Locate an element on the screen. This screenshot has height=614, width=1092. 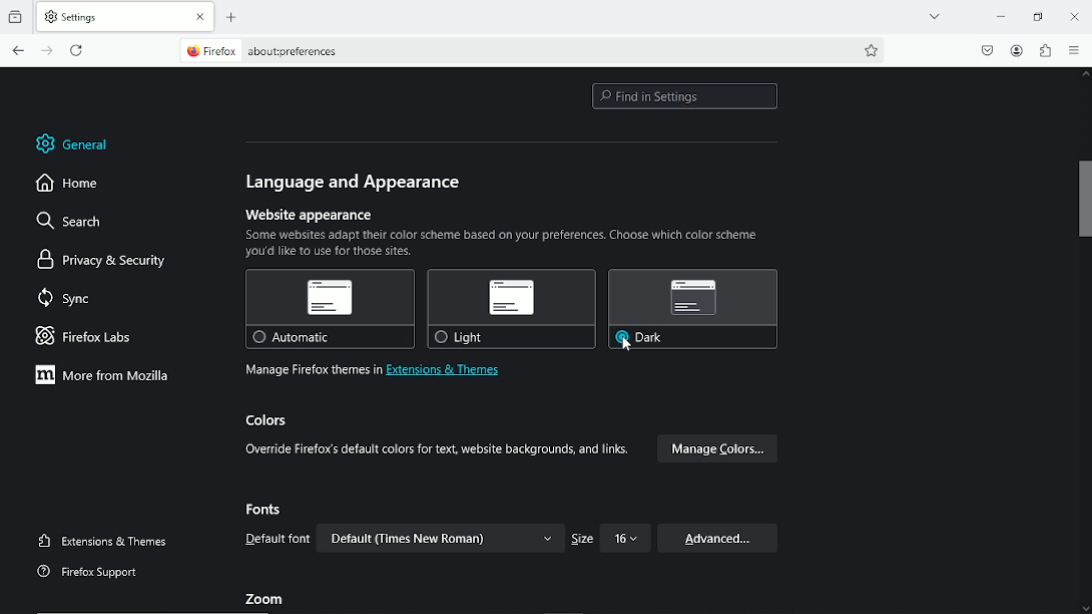
Fonts is located at coordinates (262, 508).